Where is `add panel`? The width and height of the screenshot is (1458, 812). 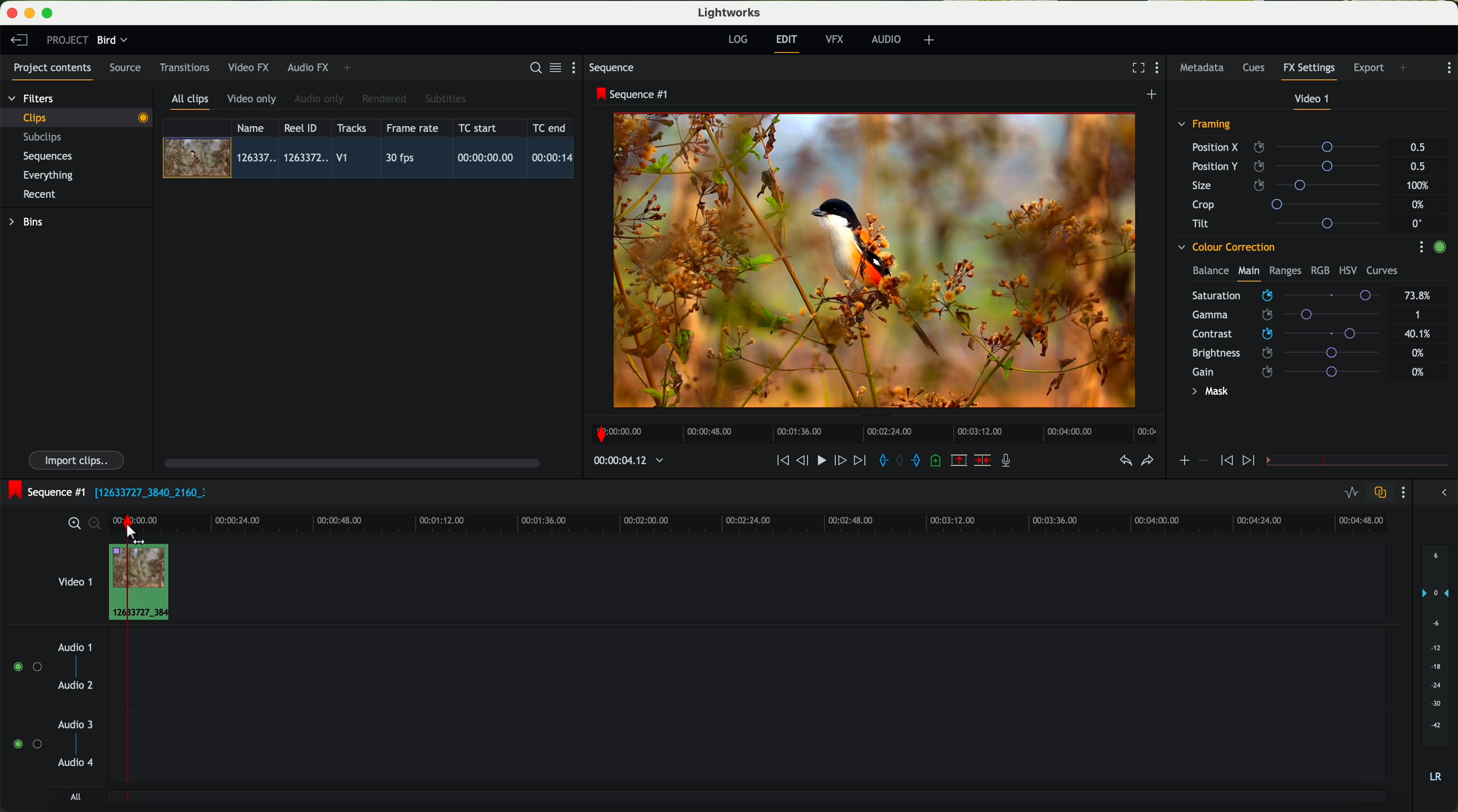 add panel is located at coordinates (350, 68).